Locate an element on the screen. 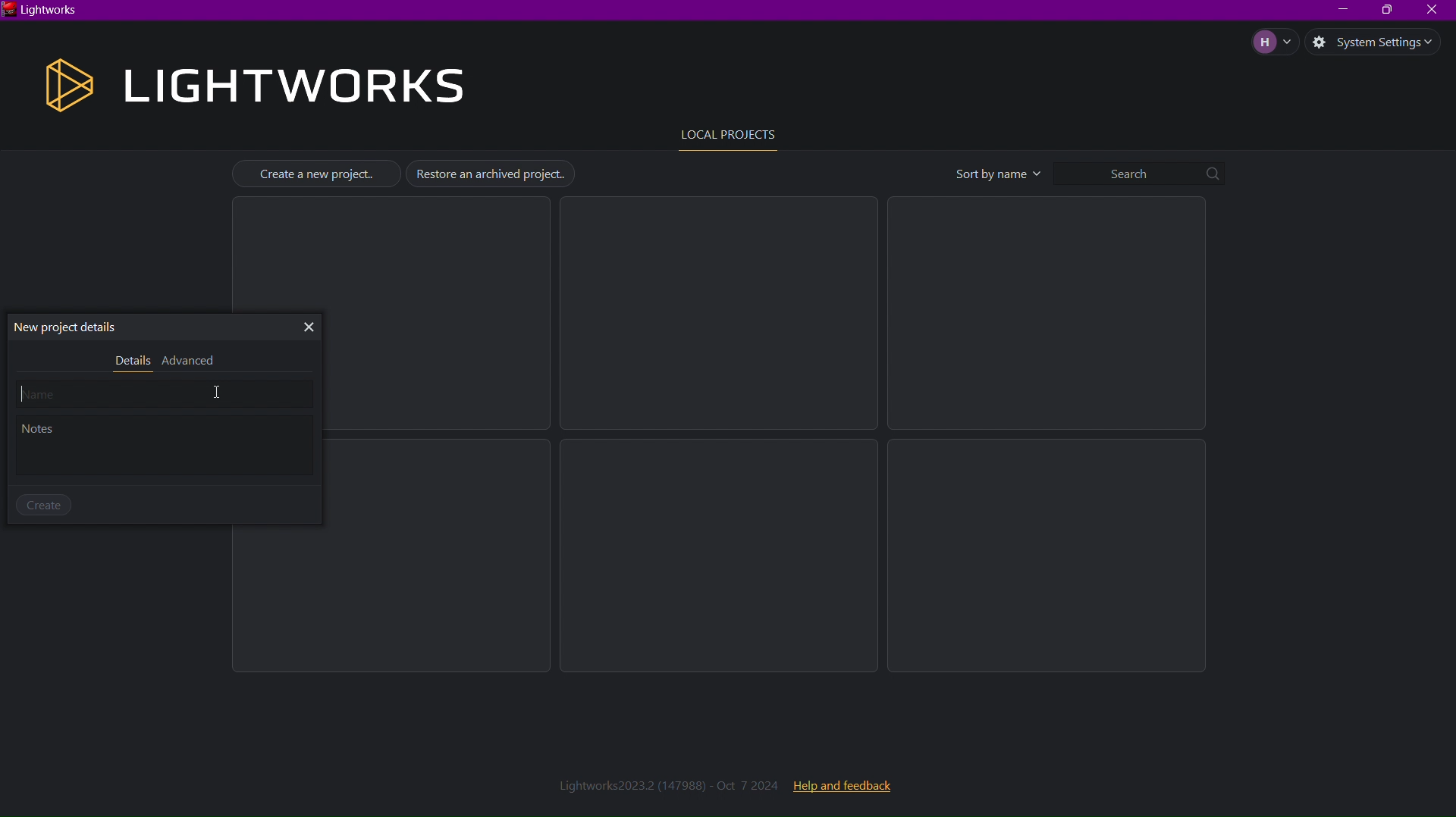 This screenshot has height=817, width=1456. Empty Project is located at coordinates (1047, 315).